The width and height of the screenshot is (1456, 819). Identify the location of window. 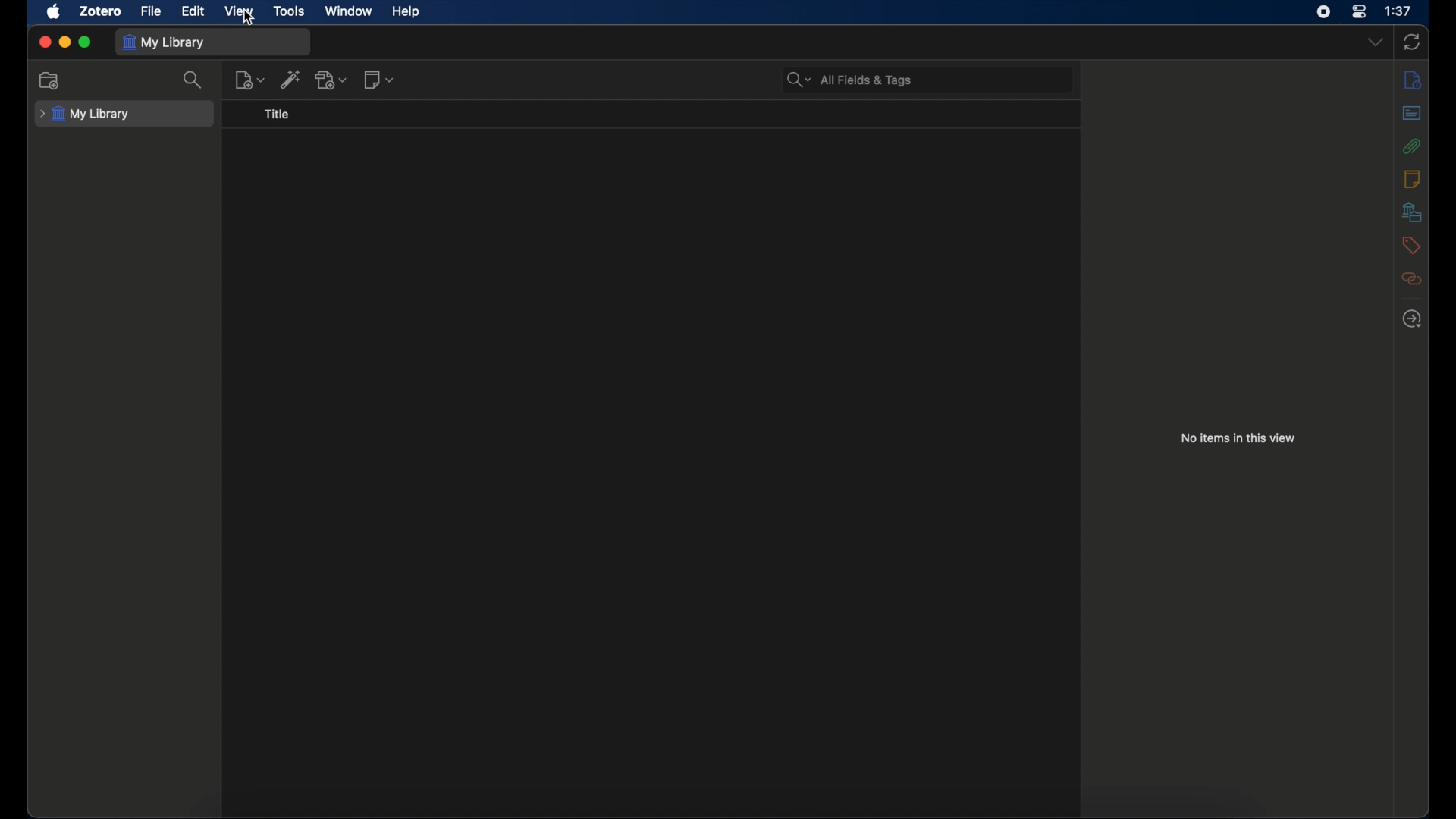
(348, 11).